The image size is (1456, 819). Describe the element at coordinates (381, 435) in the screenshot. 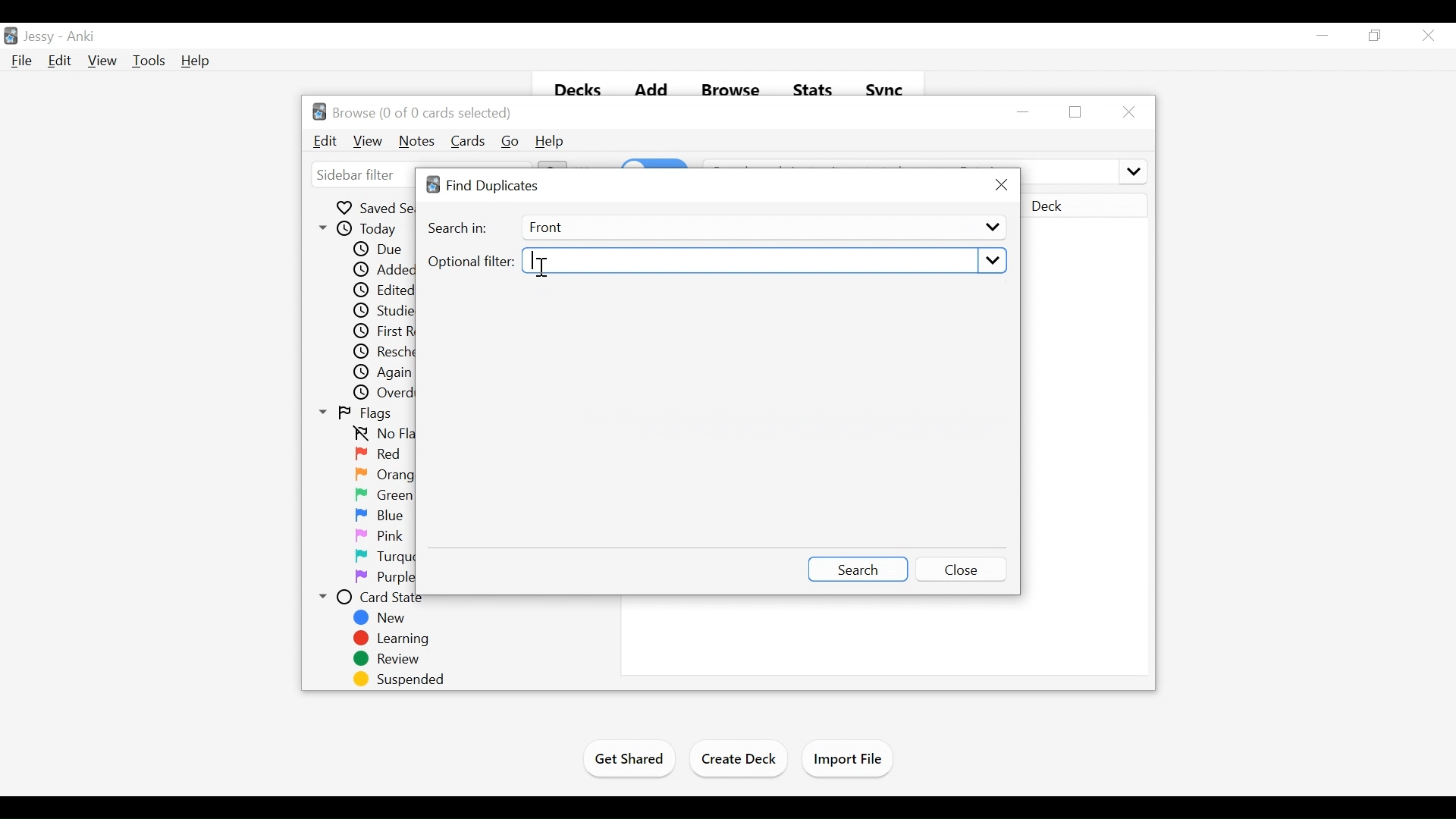

I see `No flag` at that location.